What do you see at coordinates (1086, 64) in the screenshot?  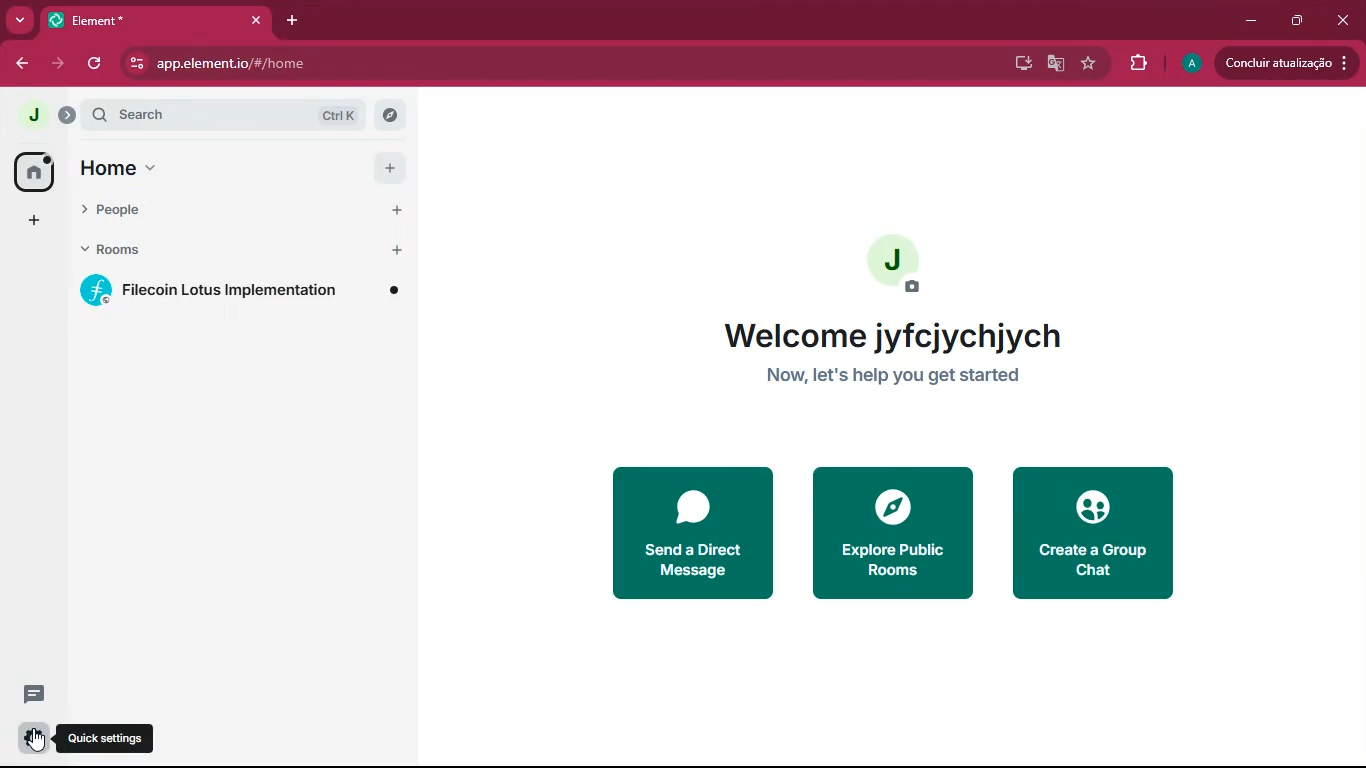 I see `favourite` at bounding box center [1086, 64].